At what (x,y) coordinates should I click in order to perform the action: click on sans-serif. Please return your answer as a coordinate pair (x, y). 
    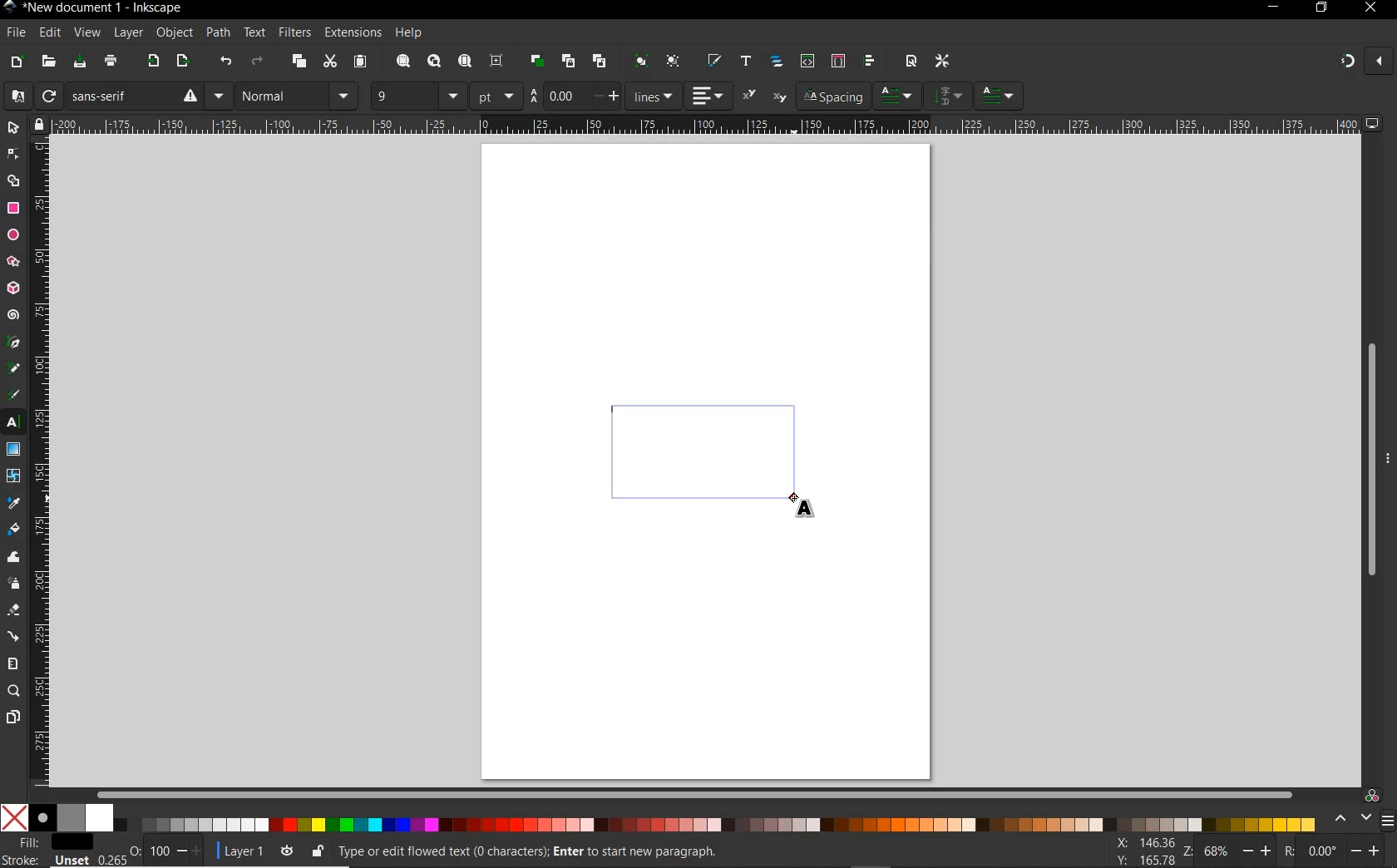
    Looking at the image, I should click on (134, 96).